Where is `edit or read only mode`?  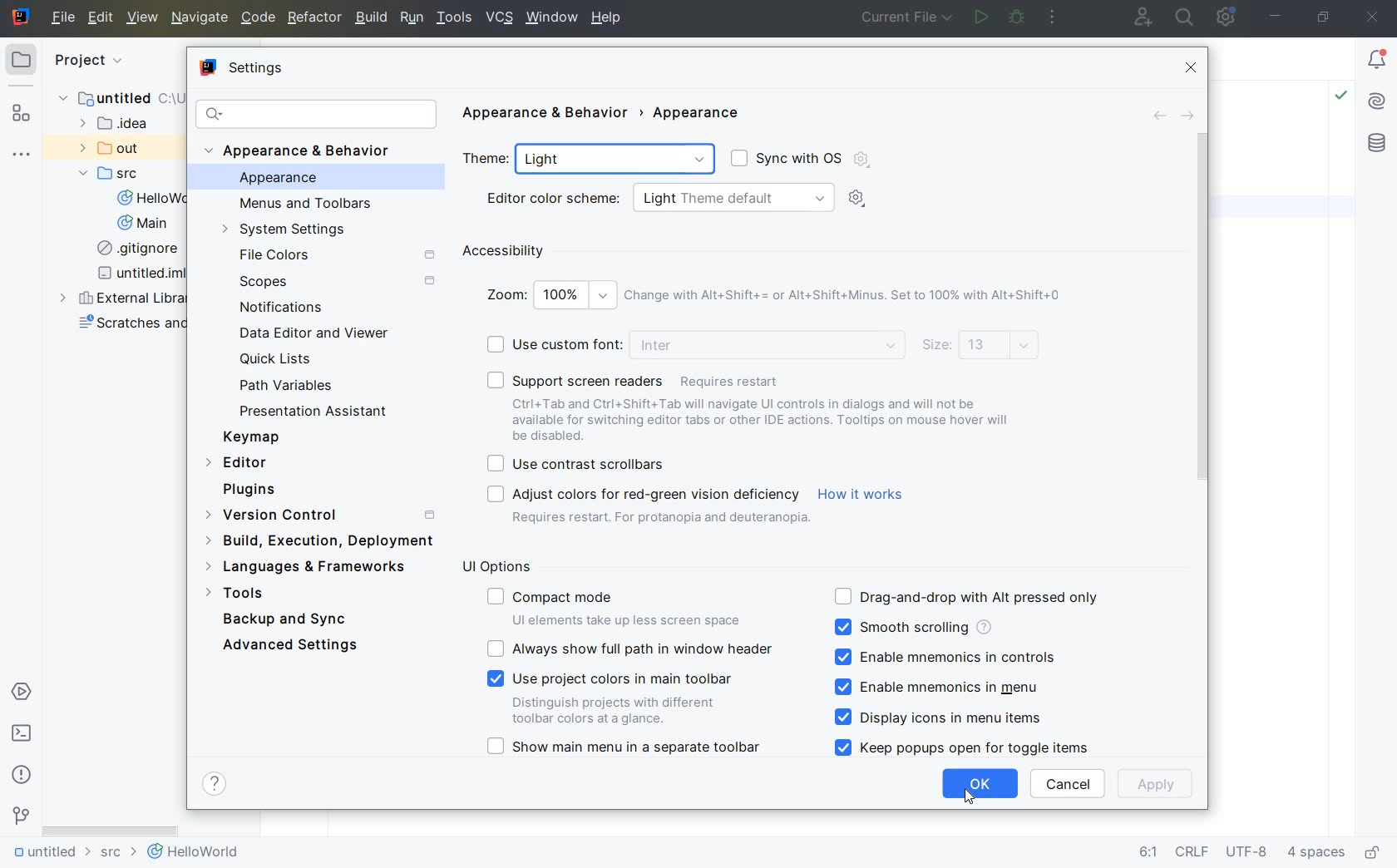
edit or read only mode is located at coordinates (1376, 850).